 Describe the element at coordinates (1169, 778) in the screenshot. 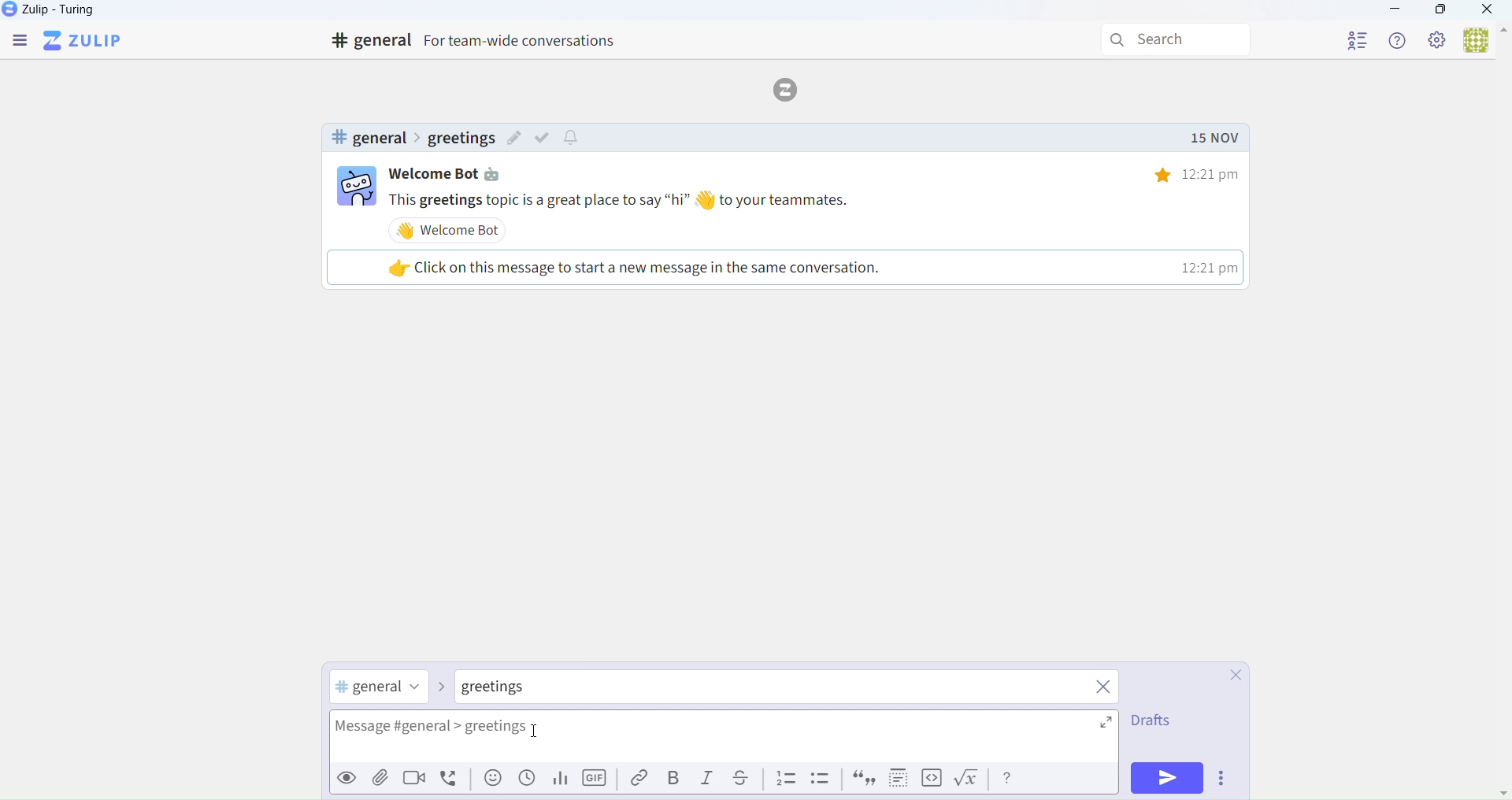

I see `Send` at that location.